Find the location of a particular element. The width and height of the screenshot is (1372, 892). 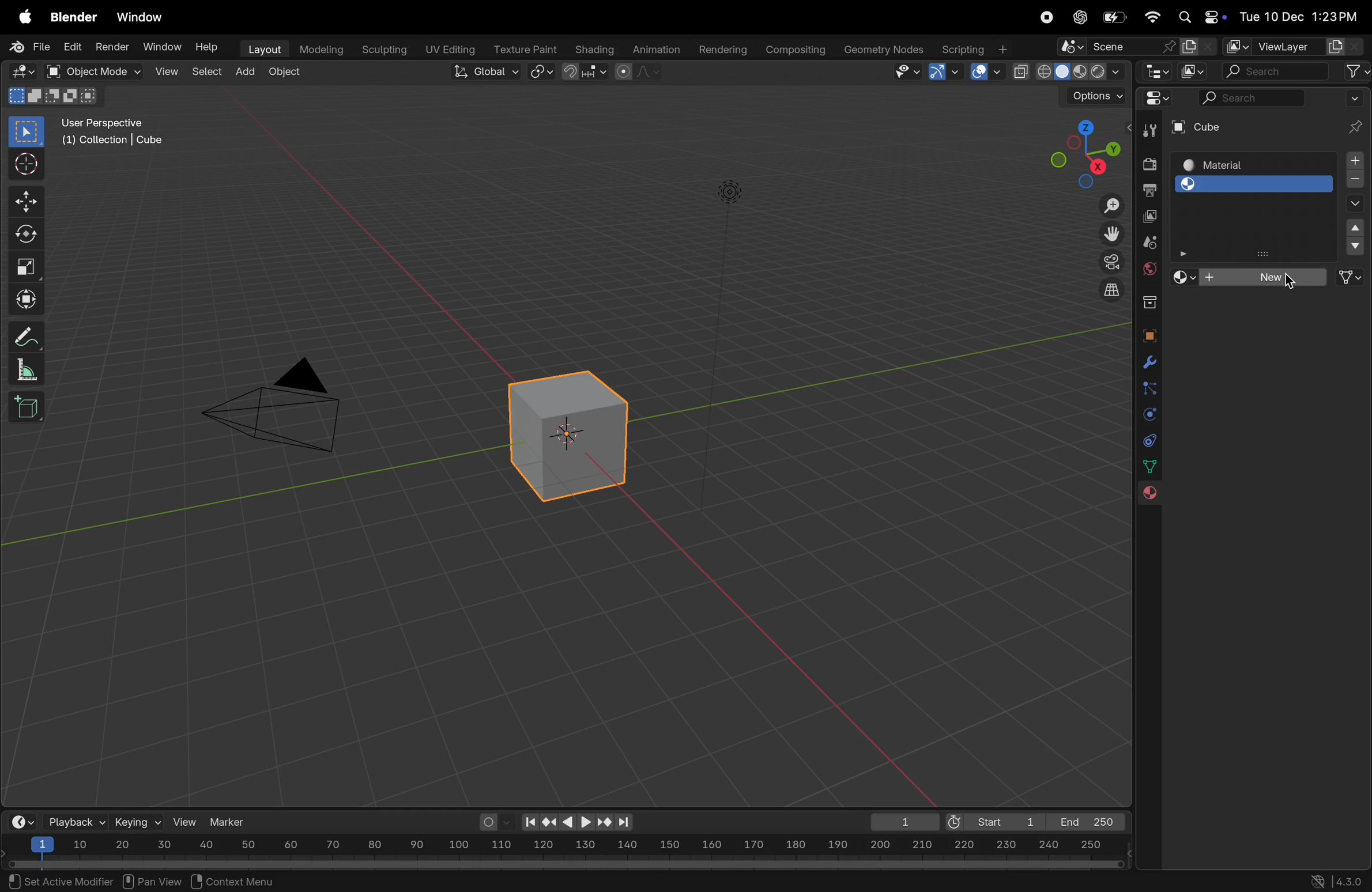

Global is located at coordinates (482, 71).